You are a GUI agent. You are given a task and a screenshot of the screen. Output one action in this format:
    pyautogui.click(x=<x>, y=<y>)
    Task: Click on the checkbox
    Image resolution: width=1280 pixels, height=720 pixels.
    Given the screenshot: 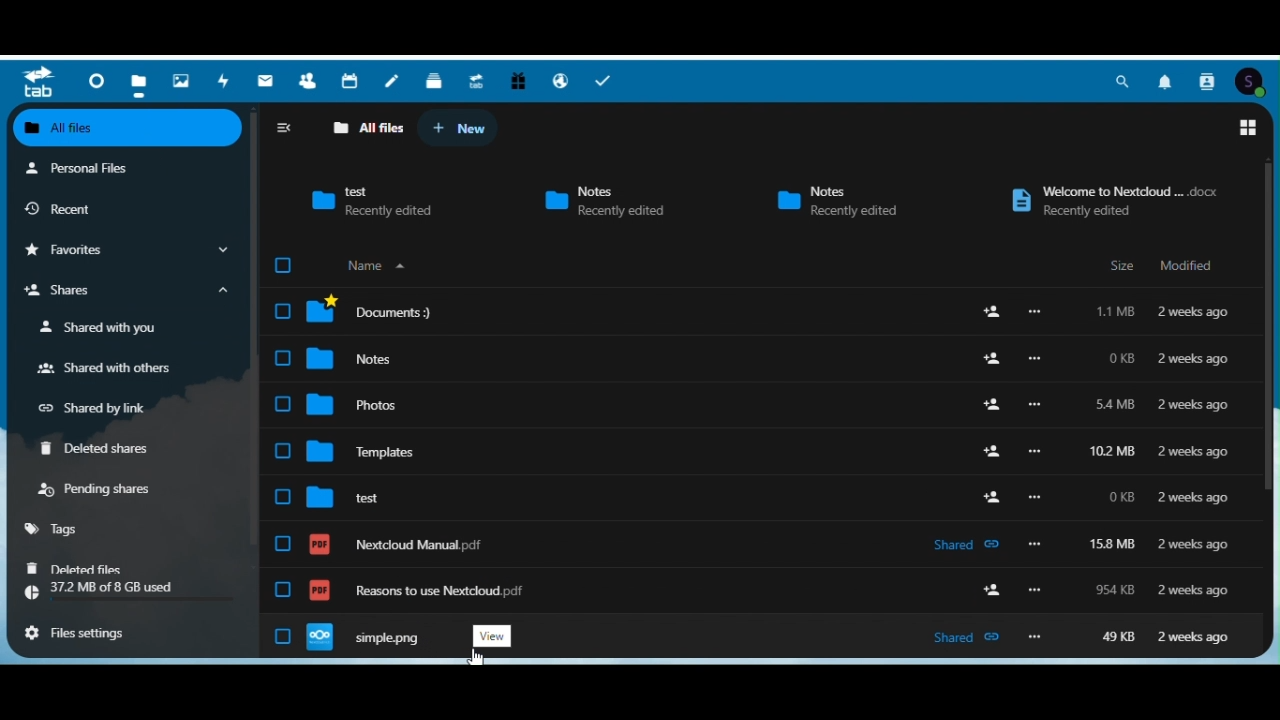 What is the action you would take?
    pyautogui.click(x=283, y=544)
    